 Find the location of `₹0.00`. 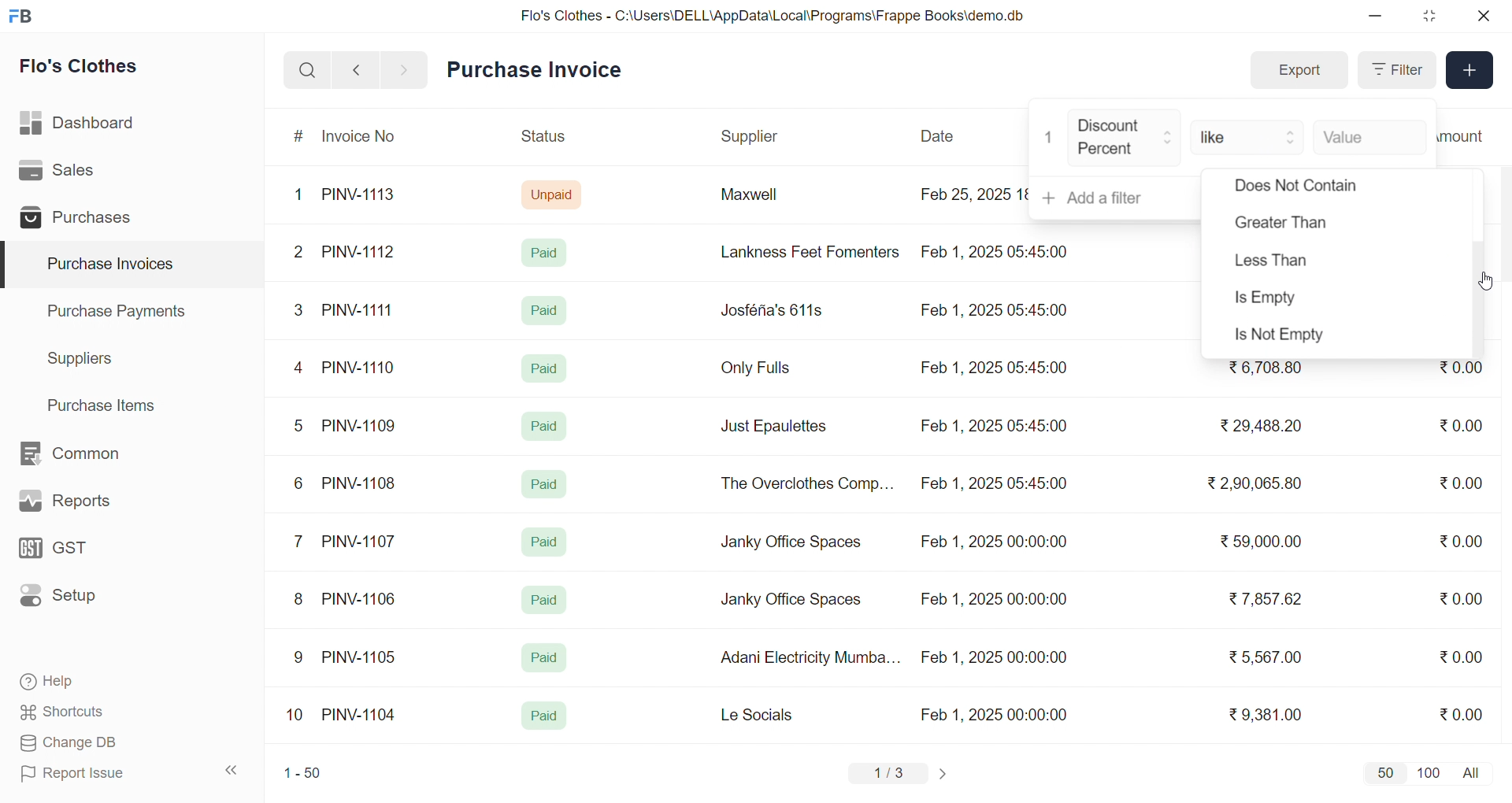

₹0.00 is located at coordinates (1461, 598).